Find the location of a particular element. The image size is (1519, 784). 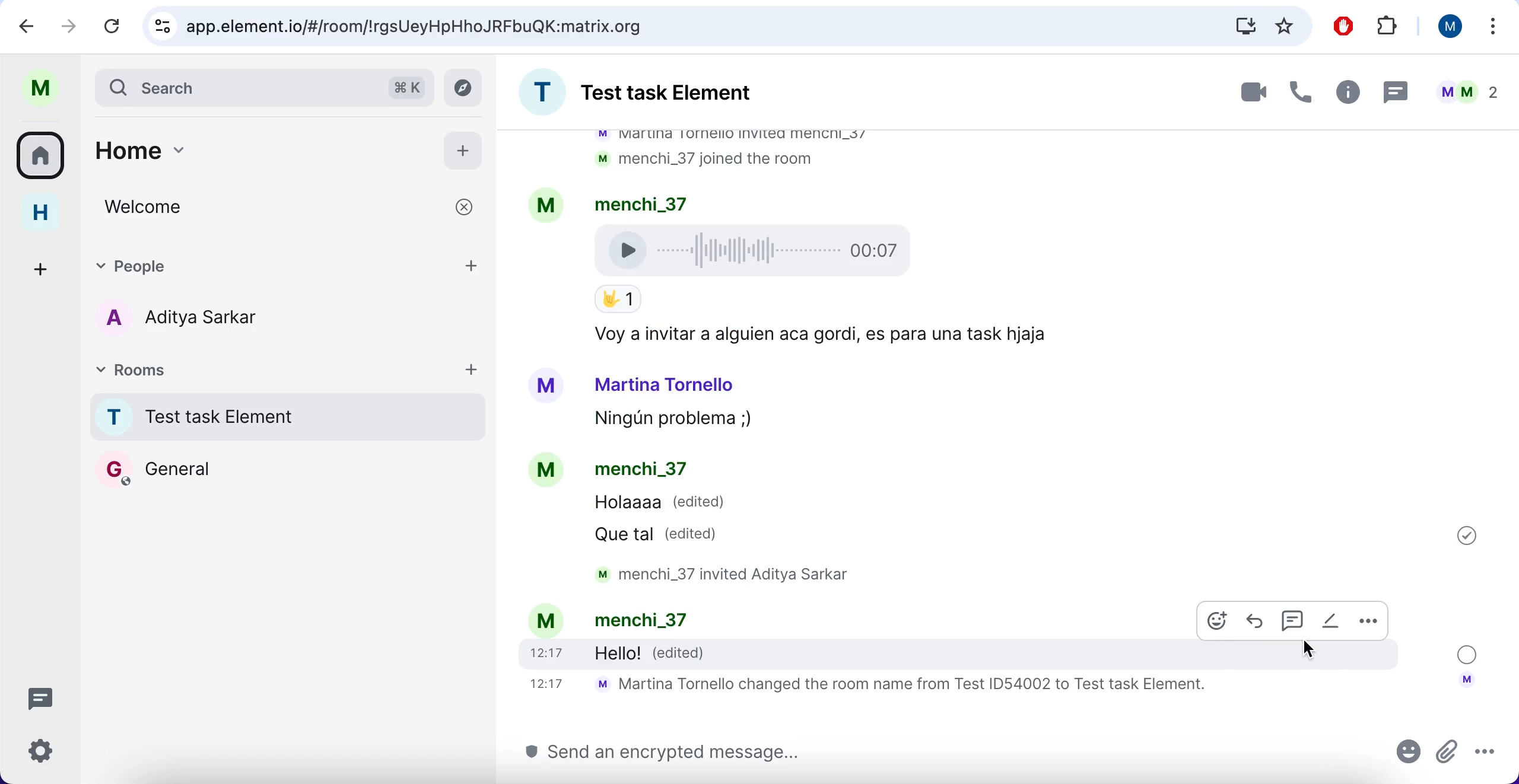

chat member is located at coordinates (191, 318).